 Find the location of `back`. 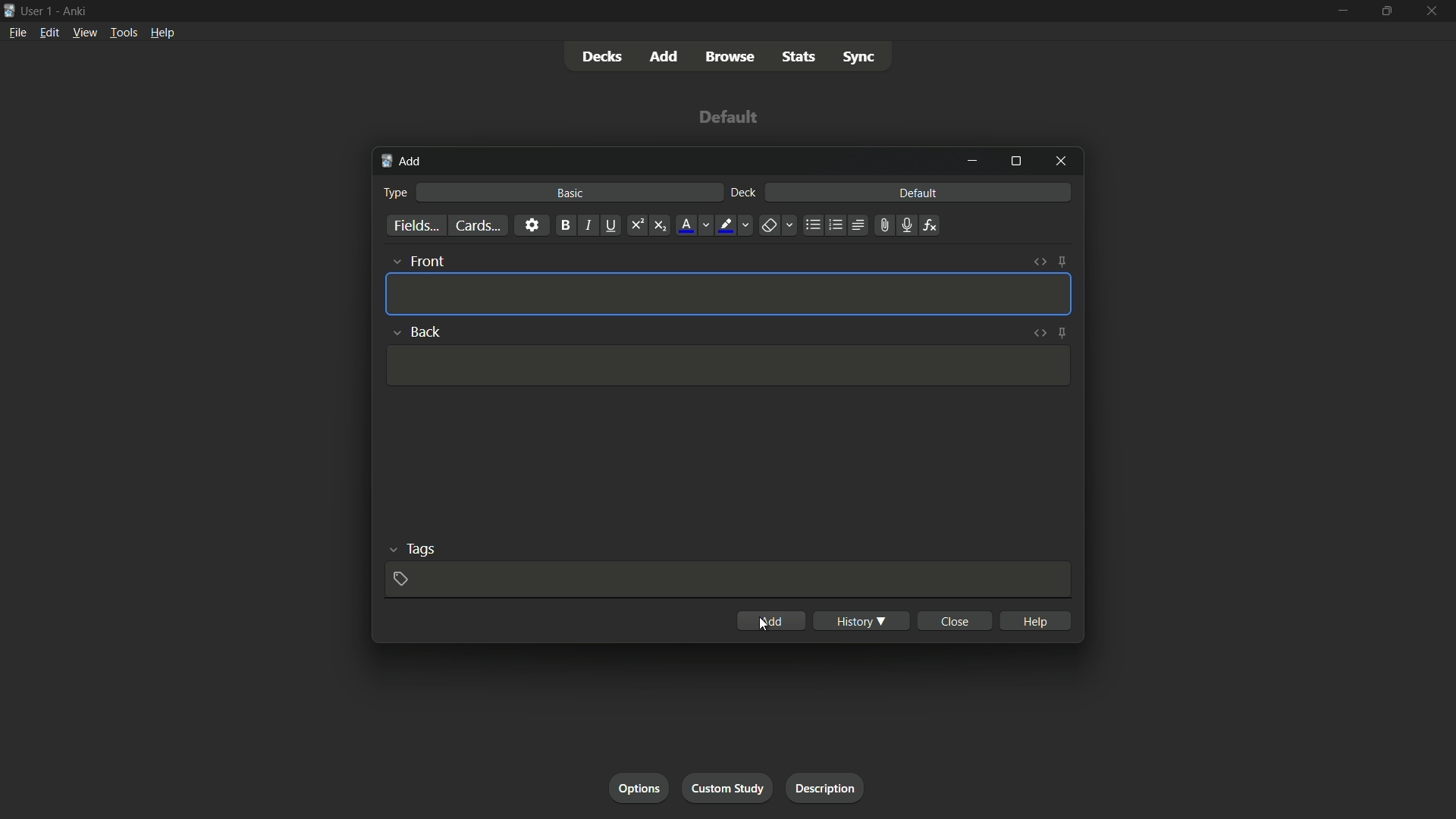

back is located at coordinates (416, 330).